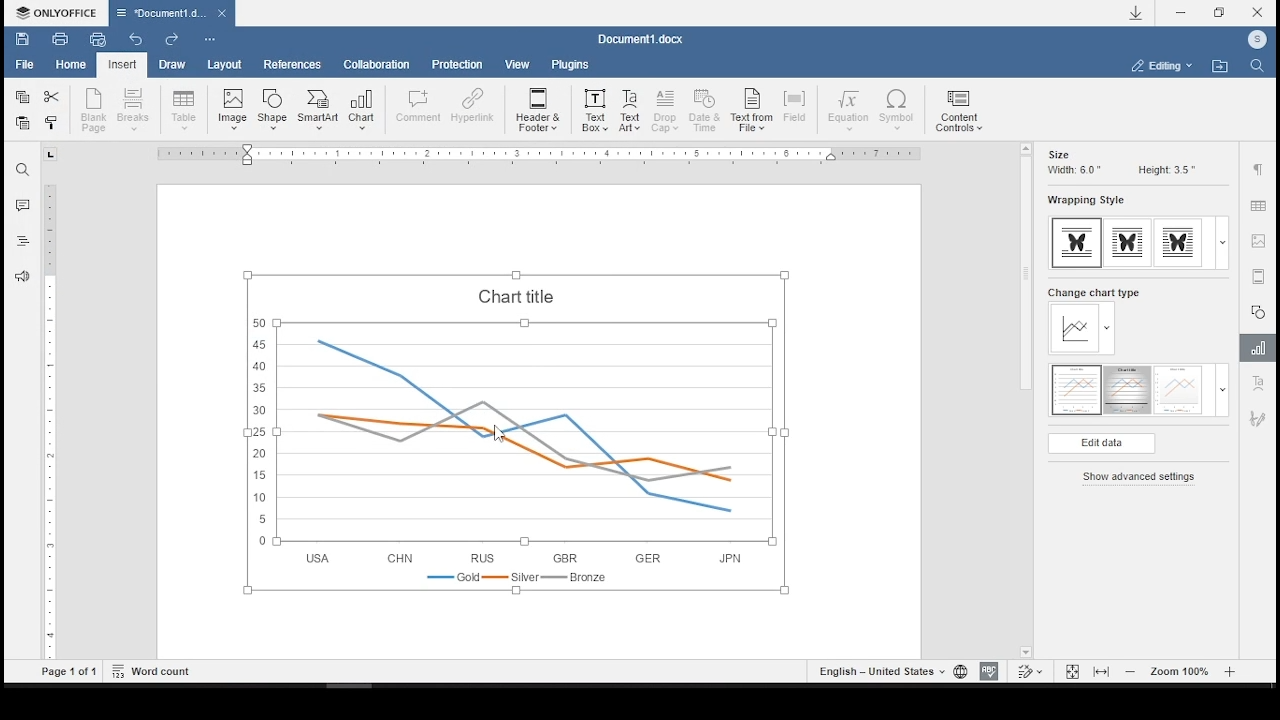 Image resolution: width=1280 pixels, height=720 pixels. I want to click on Document3.docx, so click(174, 12).